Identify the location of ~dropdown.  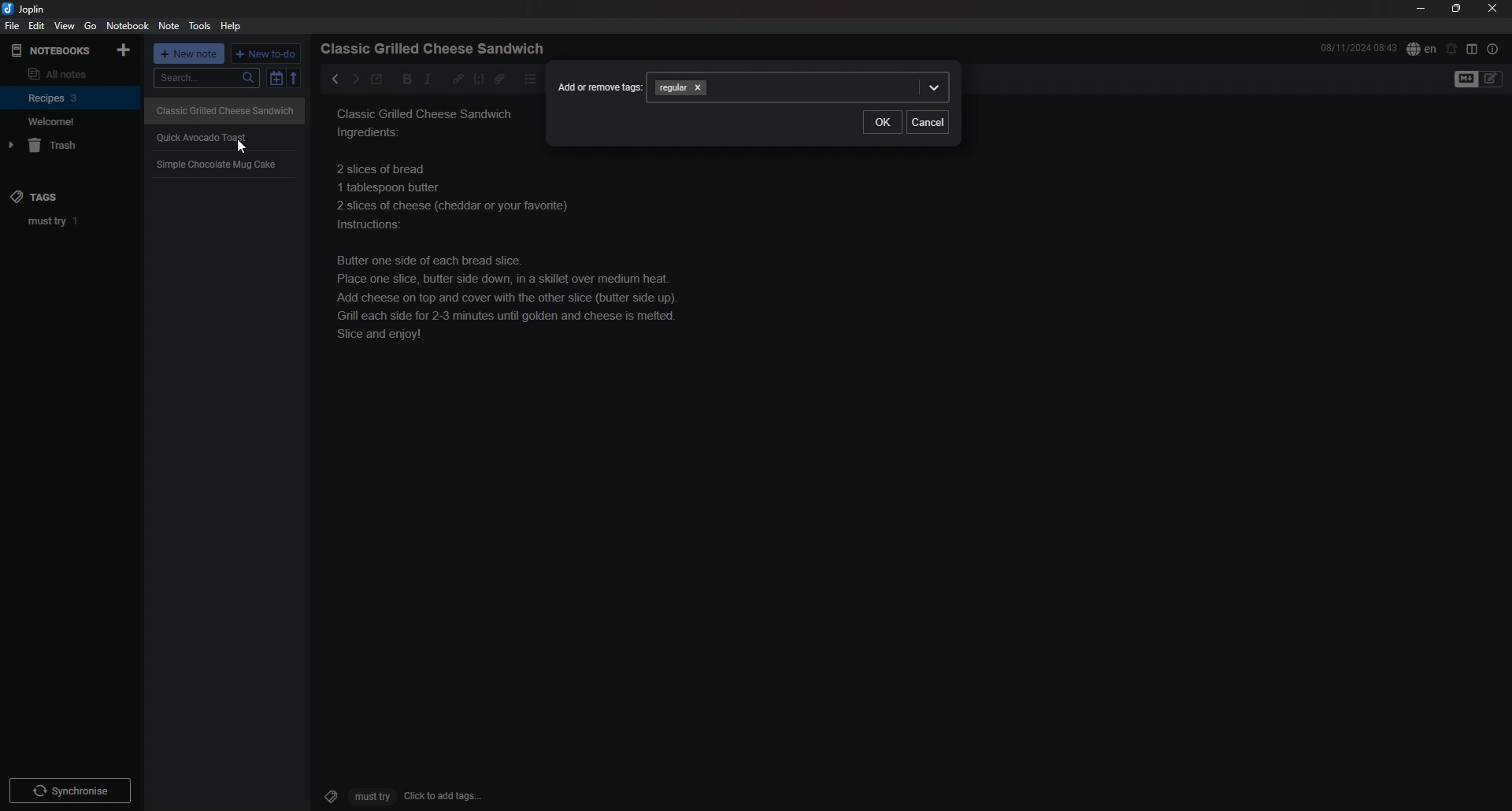
(932, 87).